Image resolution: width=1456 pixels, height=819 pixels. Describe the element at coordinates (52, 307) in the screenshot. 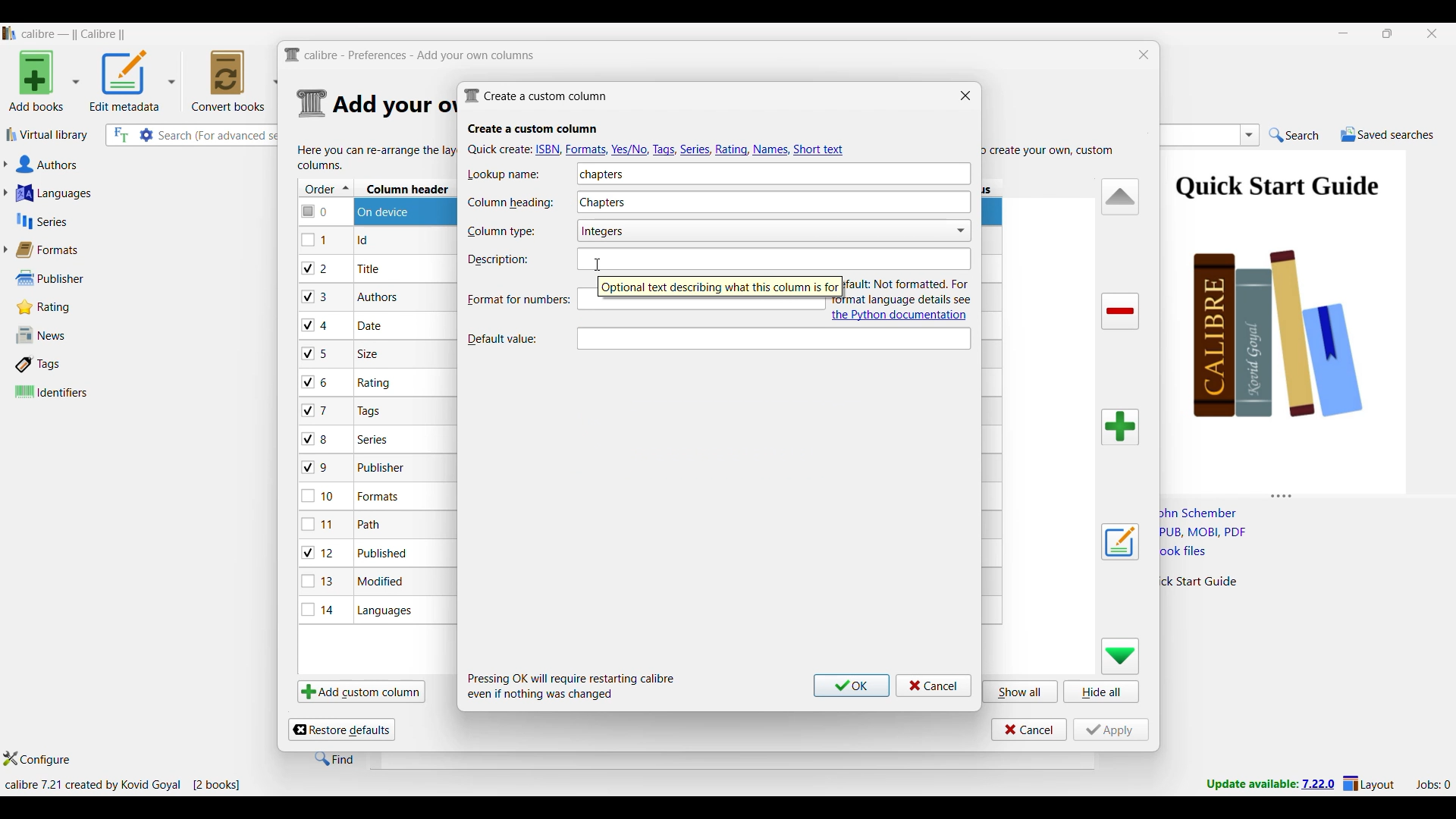

I see `Rating` at that location.